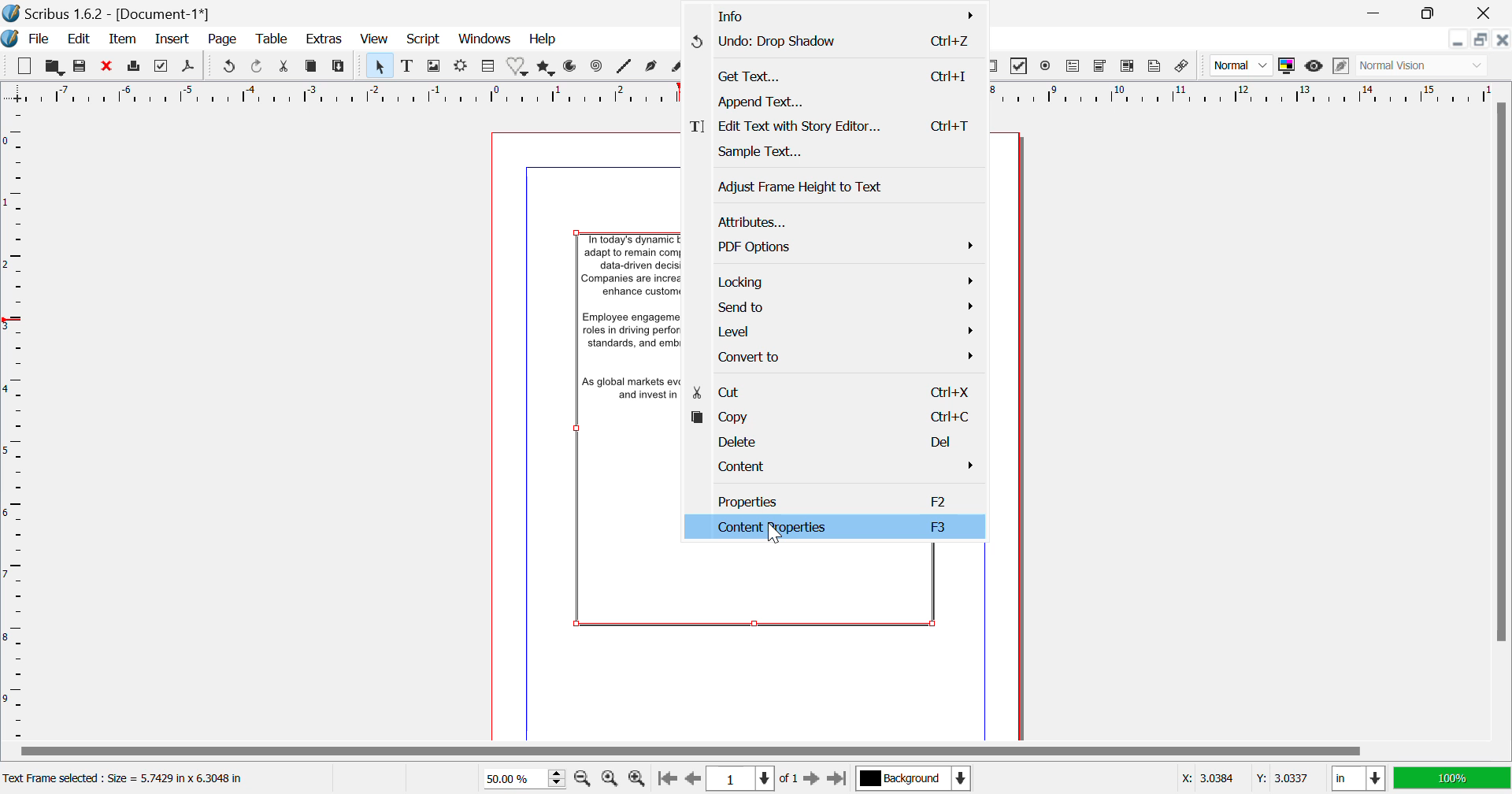  I want to click on Send to, so click(838, 306).